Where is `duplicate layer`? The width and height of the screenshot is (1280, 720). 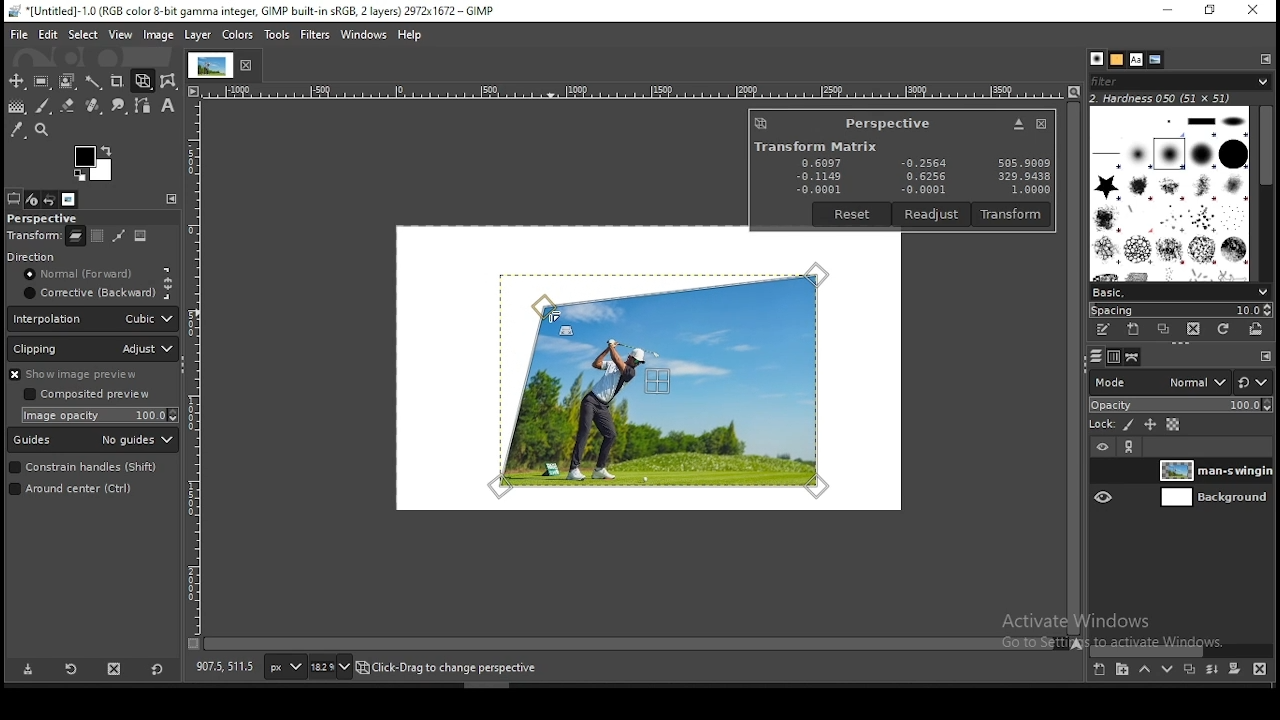
duplicate layer is located at coordinates (1190, 668).